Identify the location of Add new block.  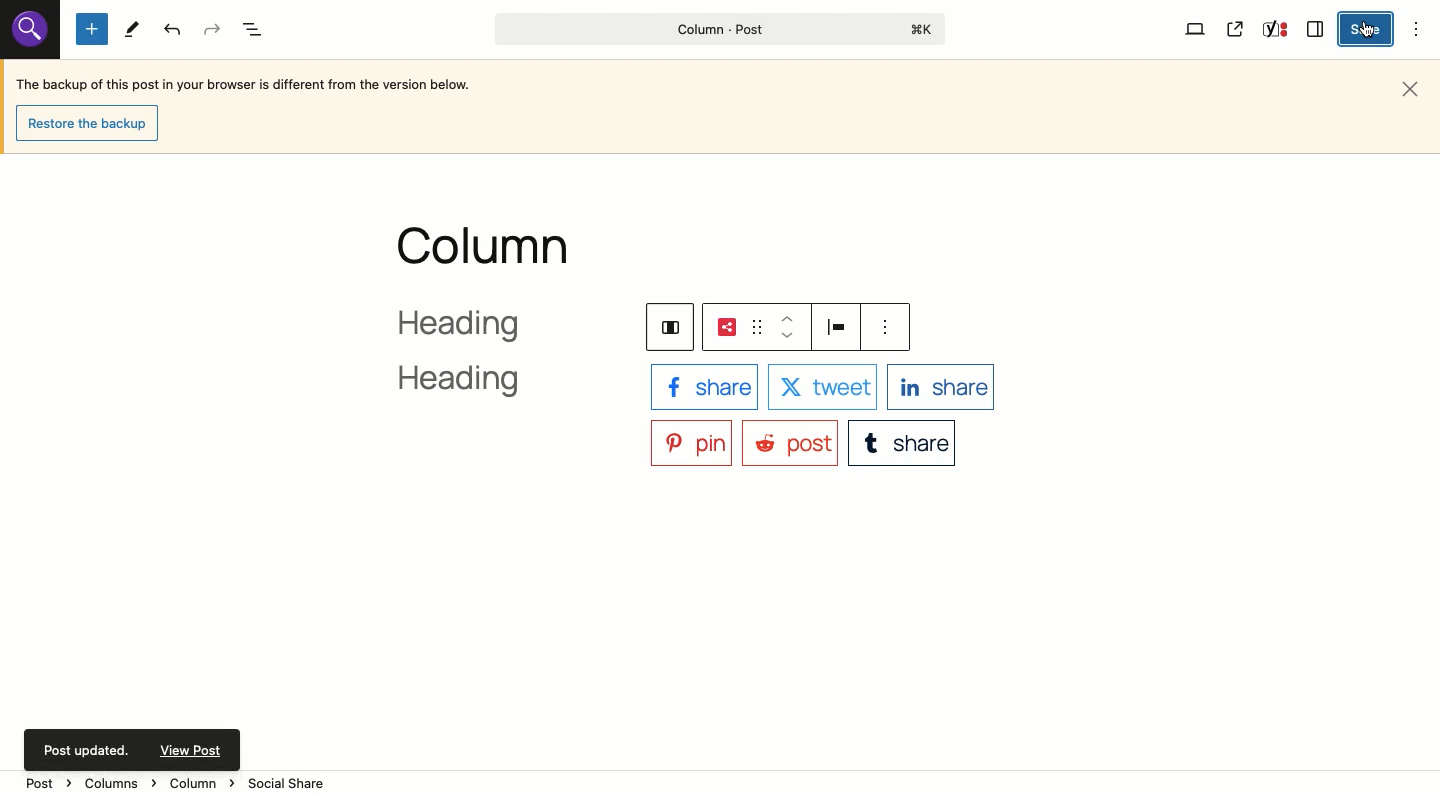
(92, 30).